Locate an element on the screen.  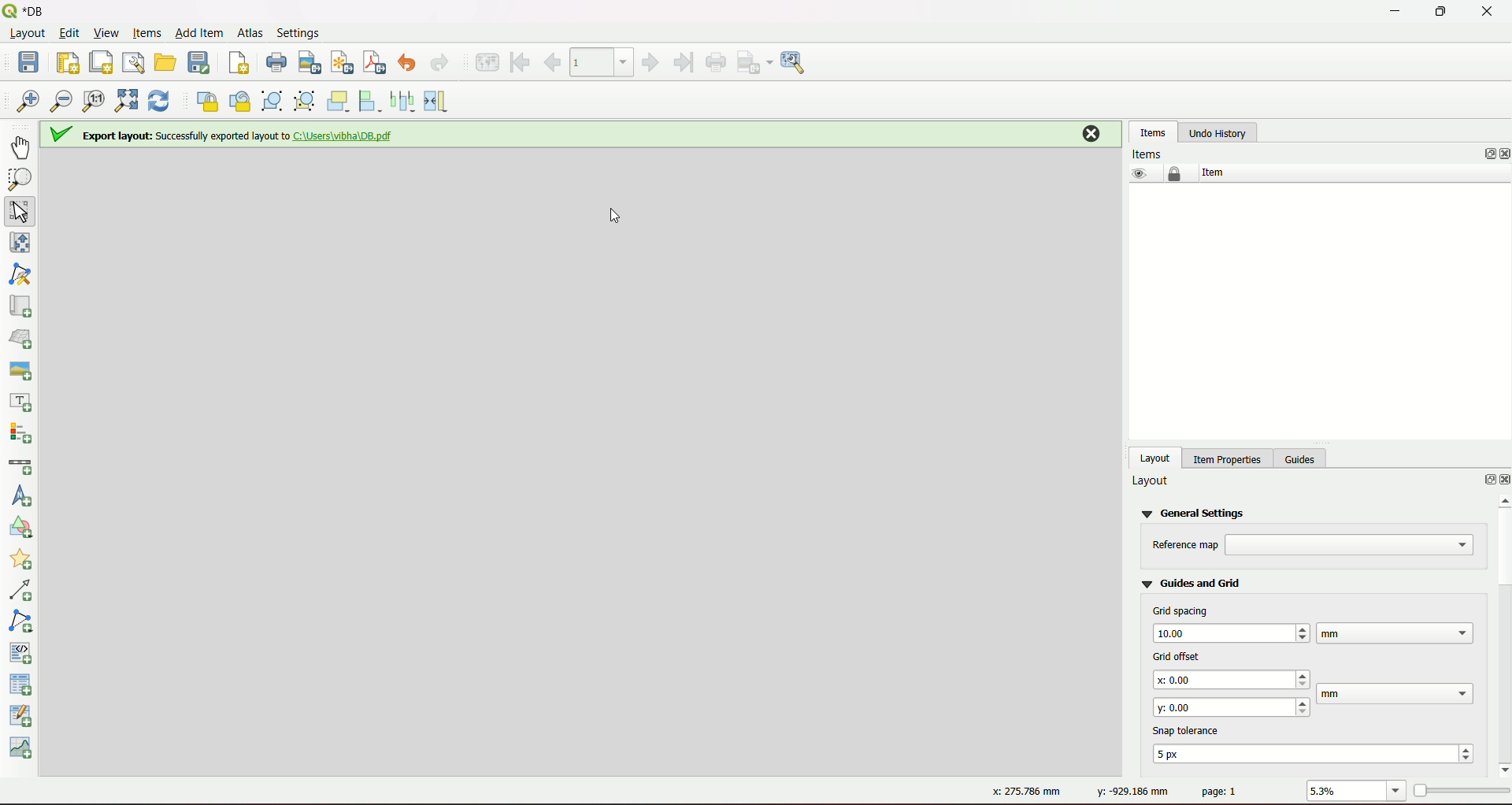
guides is located at coordinates (1303, 457).